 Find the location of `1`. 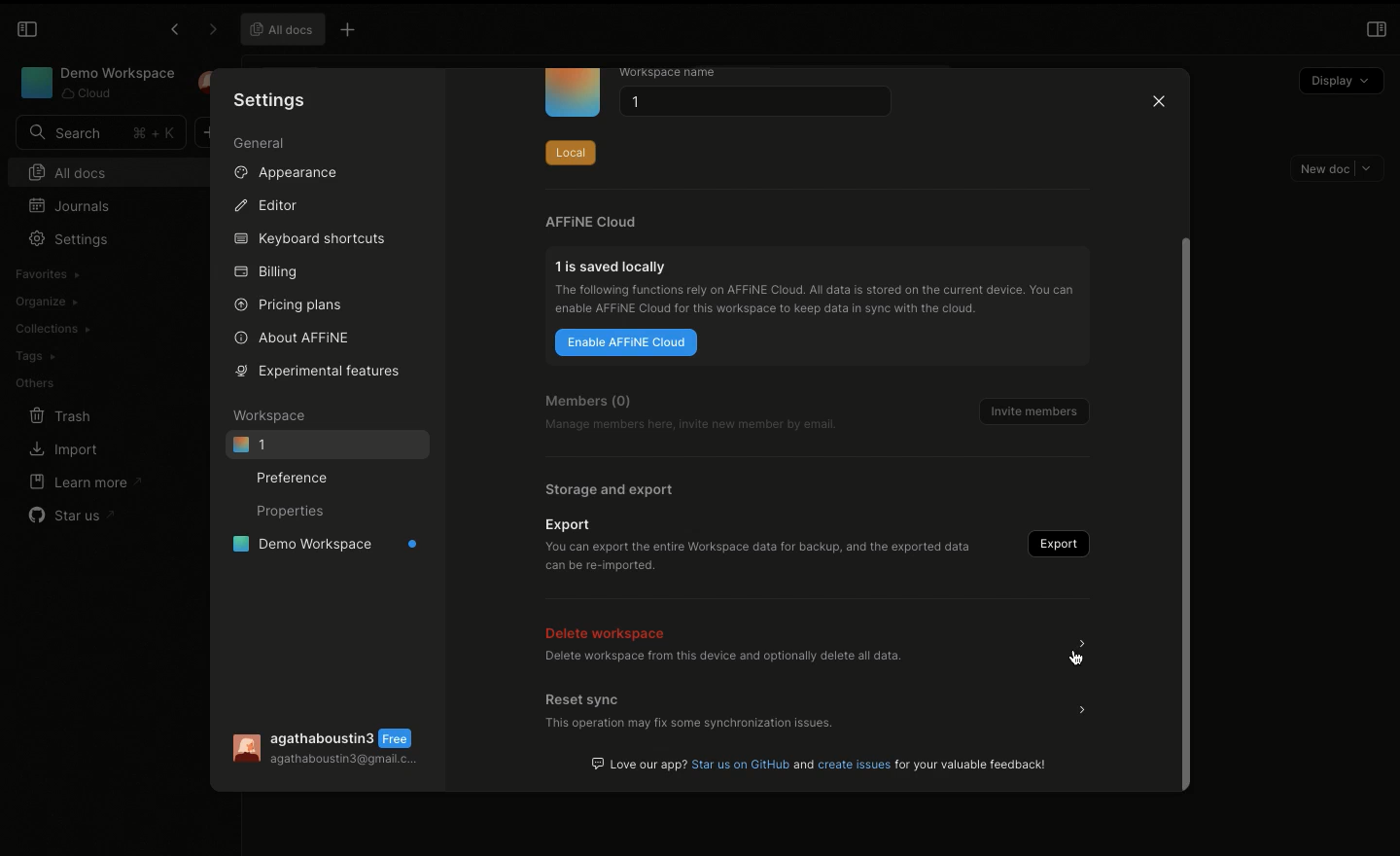

1 is located at coordinates (751, 104).